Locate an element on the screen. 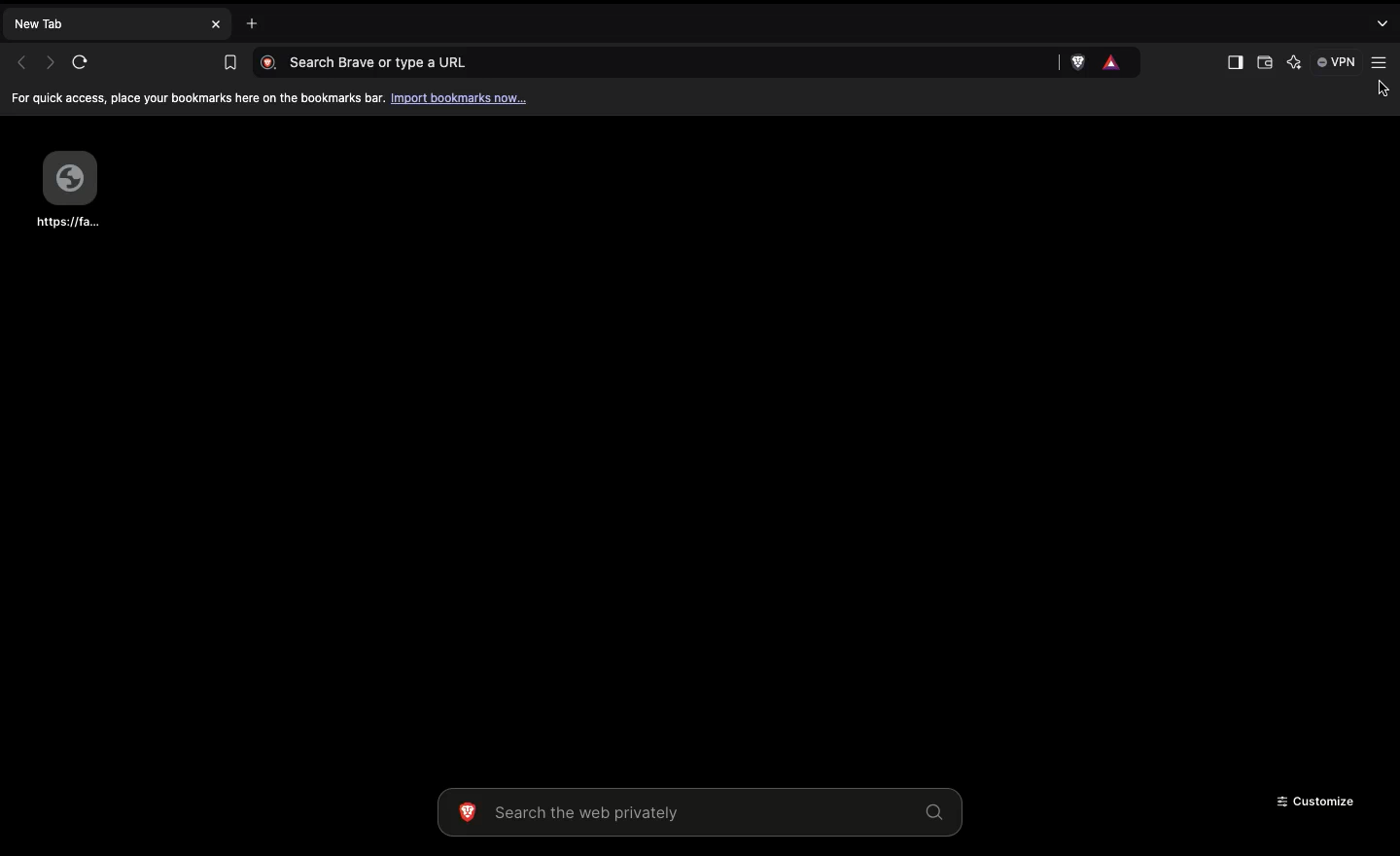  Previous page is located at coordinates (18, 61).